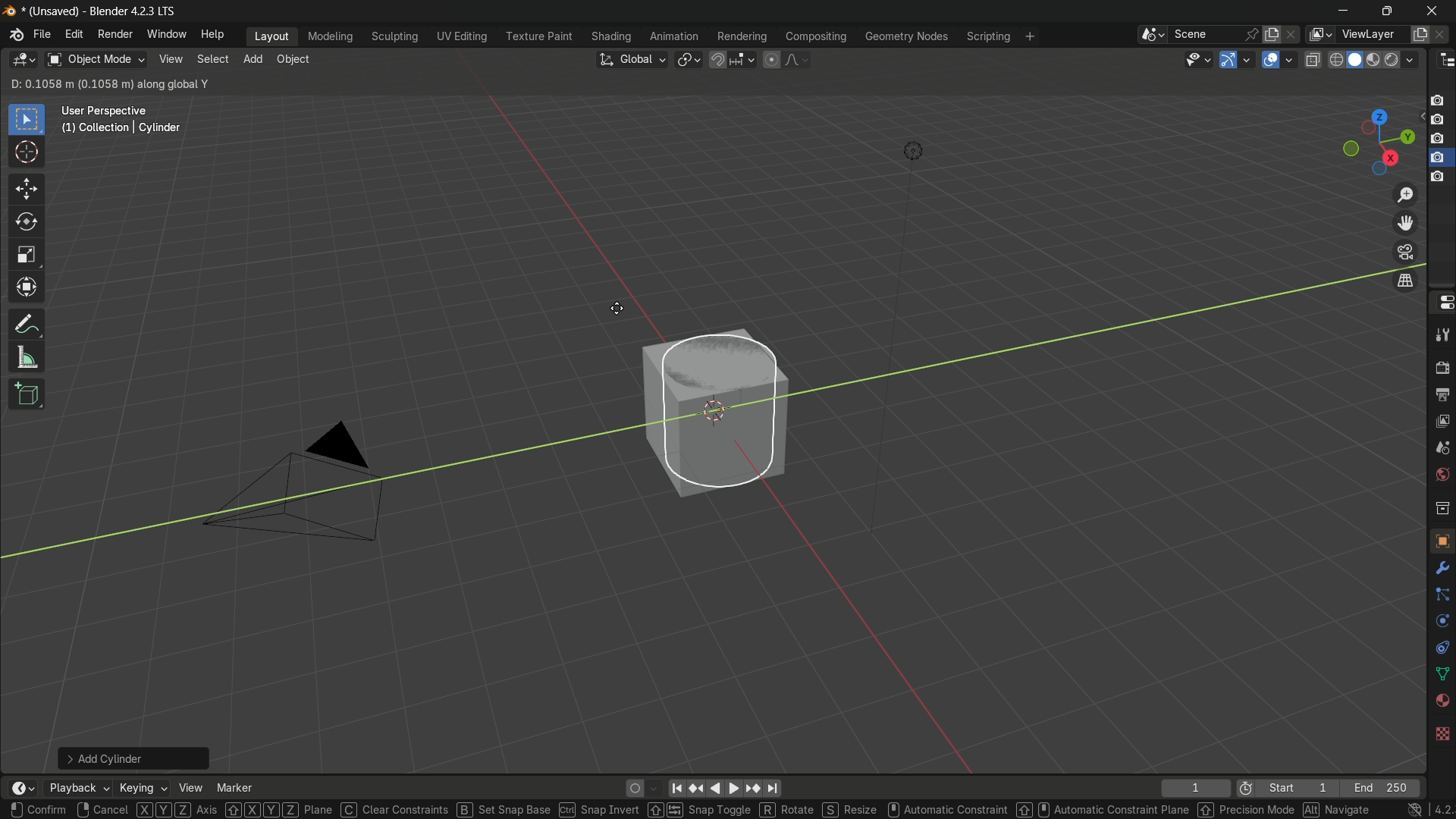 The height and width of the screenshot is (819, 1456). What do you see at coordinates (1405, 283) in the screenshot?
I see `switch the current view` at bounding box center [1405, 283].